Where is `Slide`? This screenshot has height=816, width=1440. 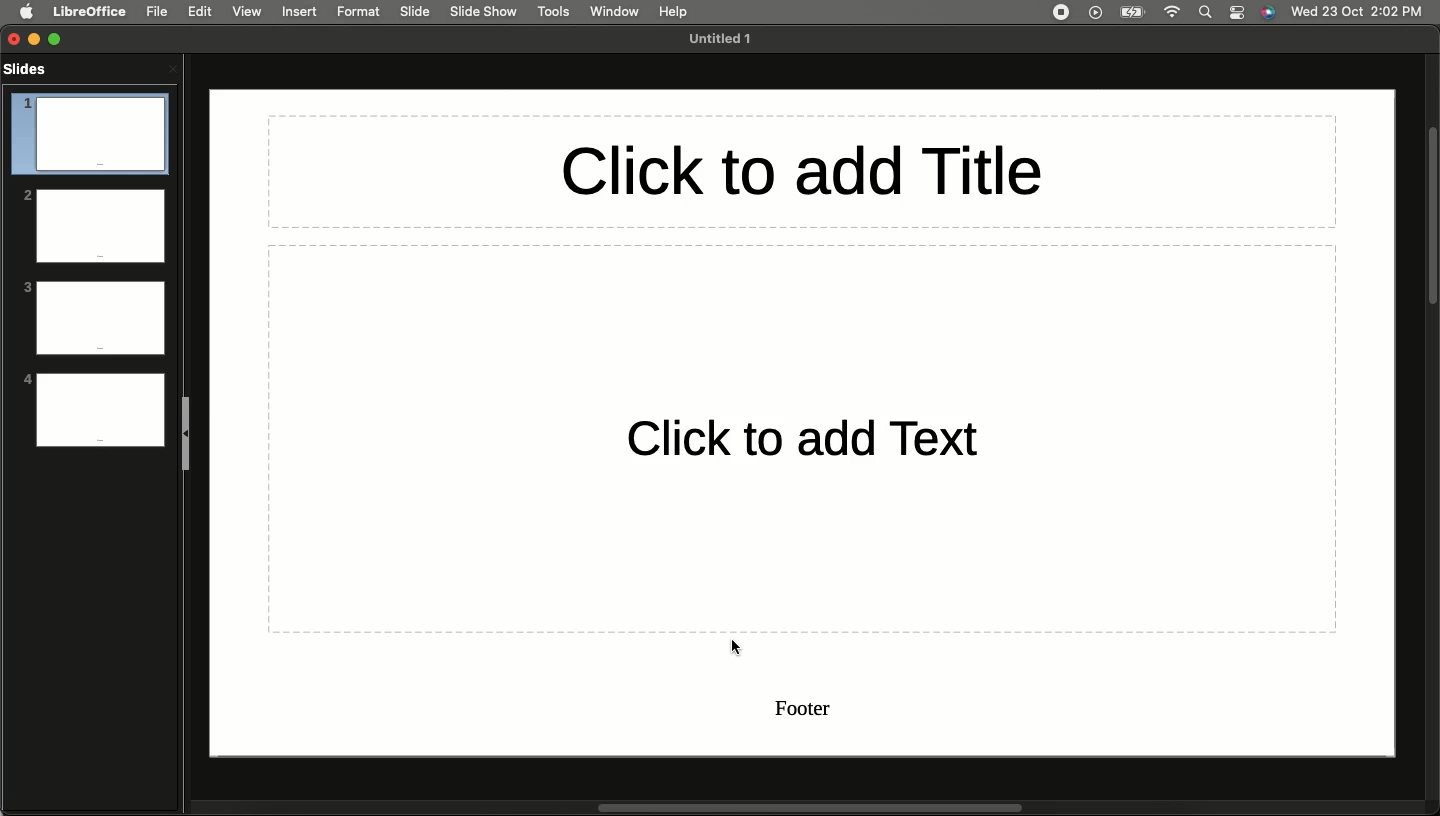 Slide is located at coordinates (416, 12).